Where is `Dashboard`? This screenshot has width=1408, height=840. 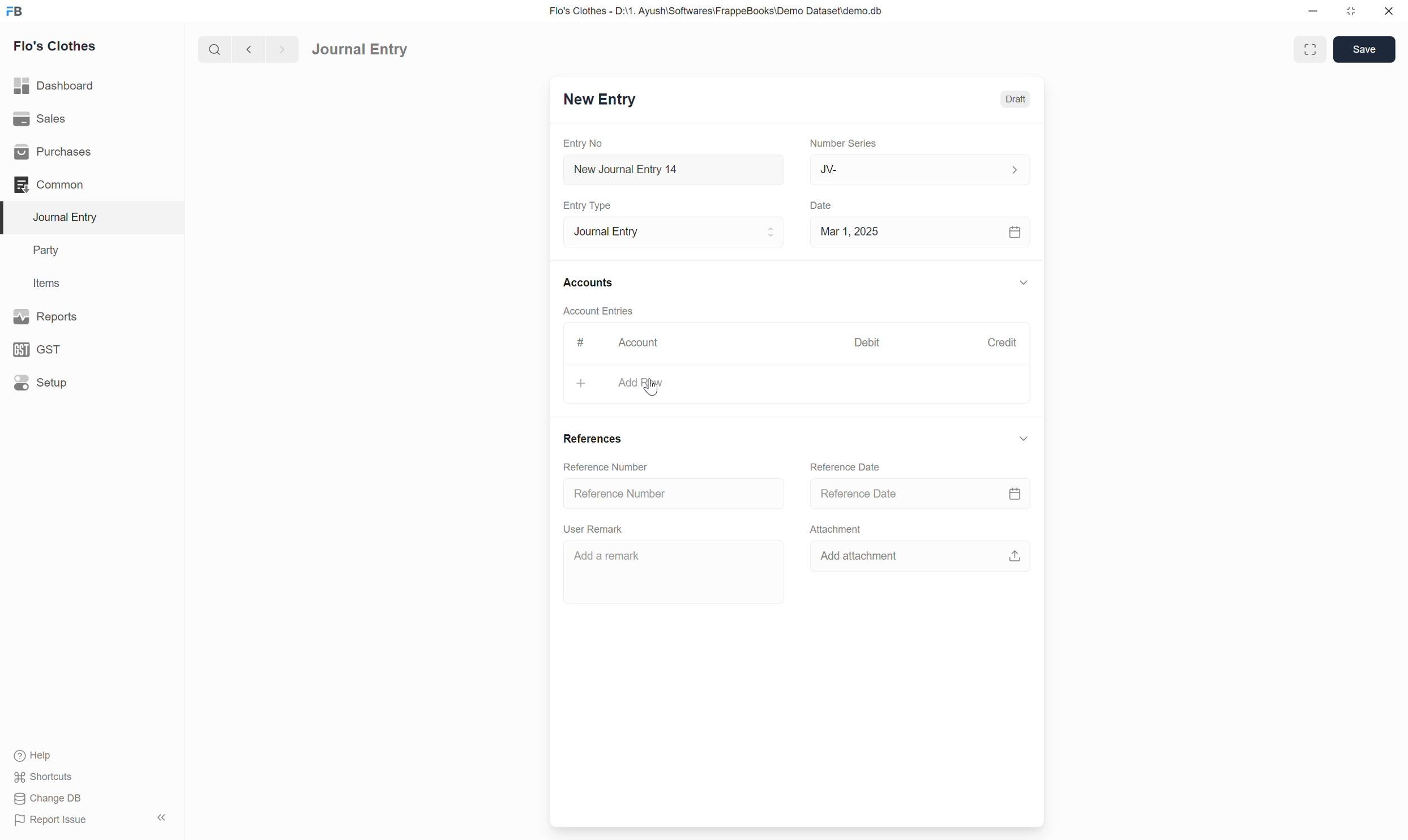 Dashboard is located at coordinates (55, 85).